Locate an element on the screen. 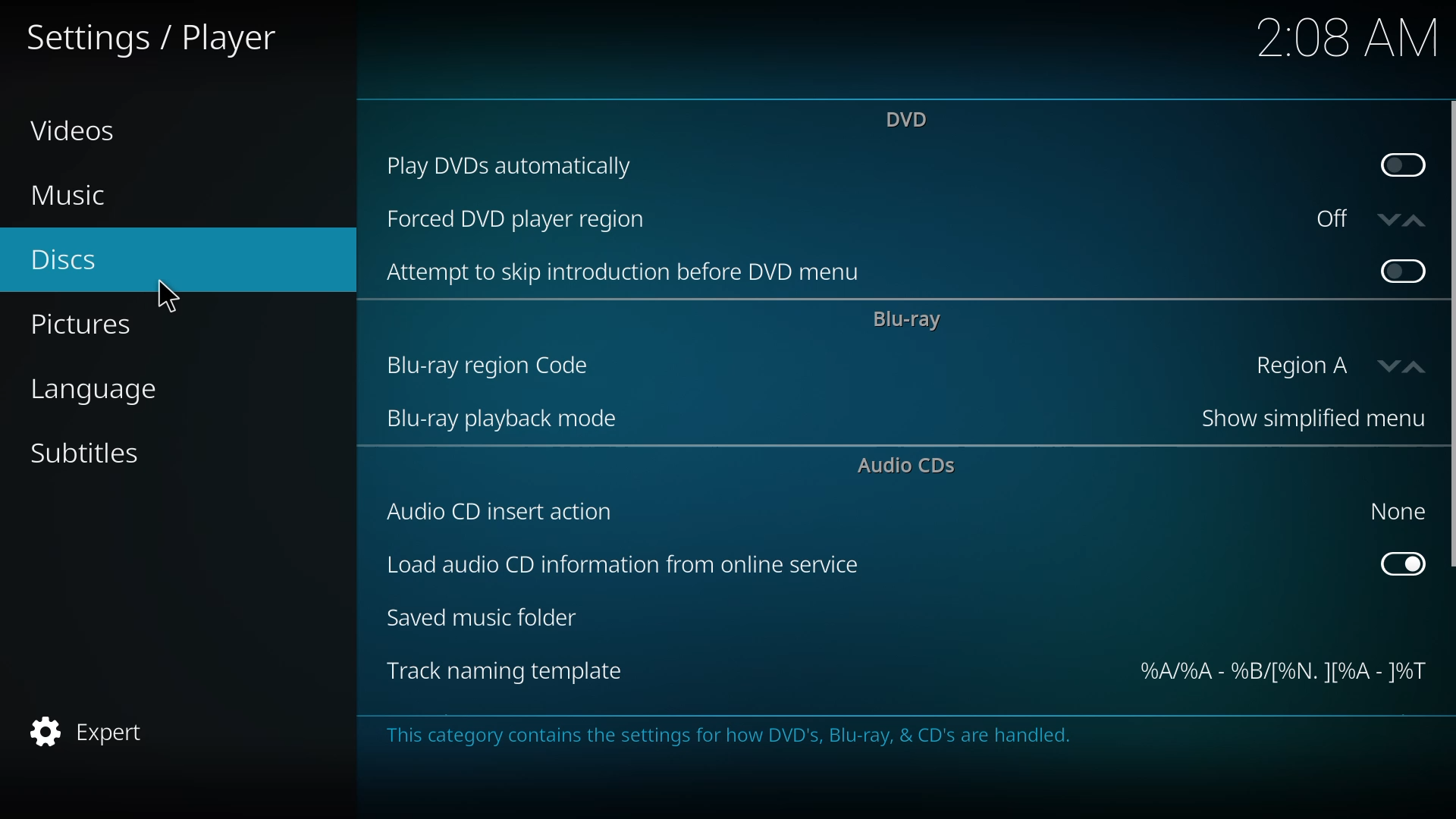 The image size is (1456, 819). bluray region code is located at coordinates (491, 365).